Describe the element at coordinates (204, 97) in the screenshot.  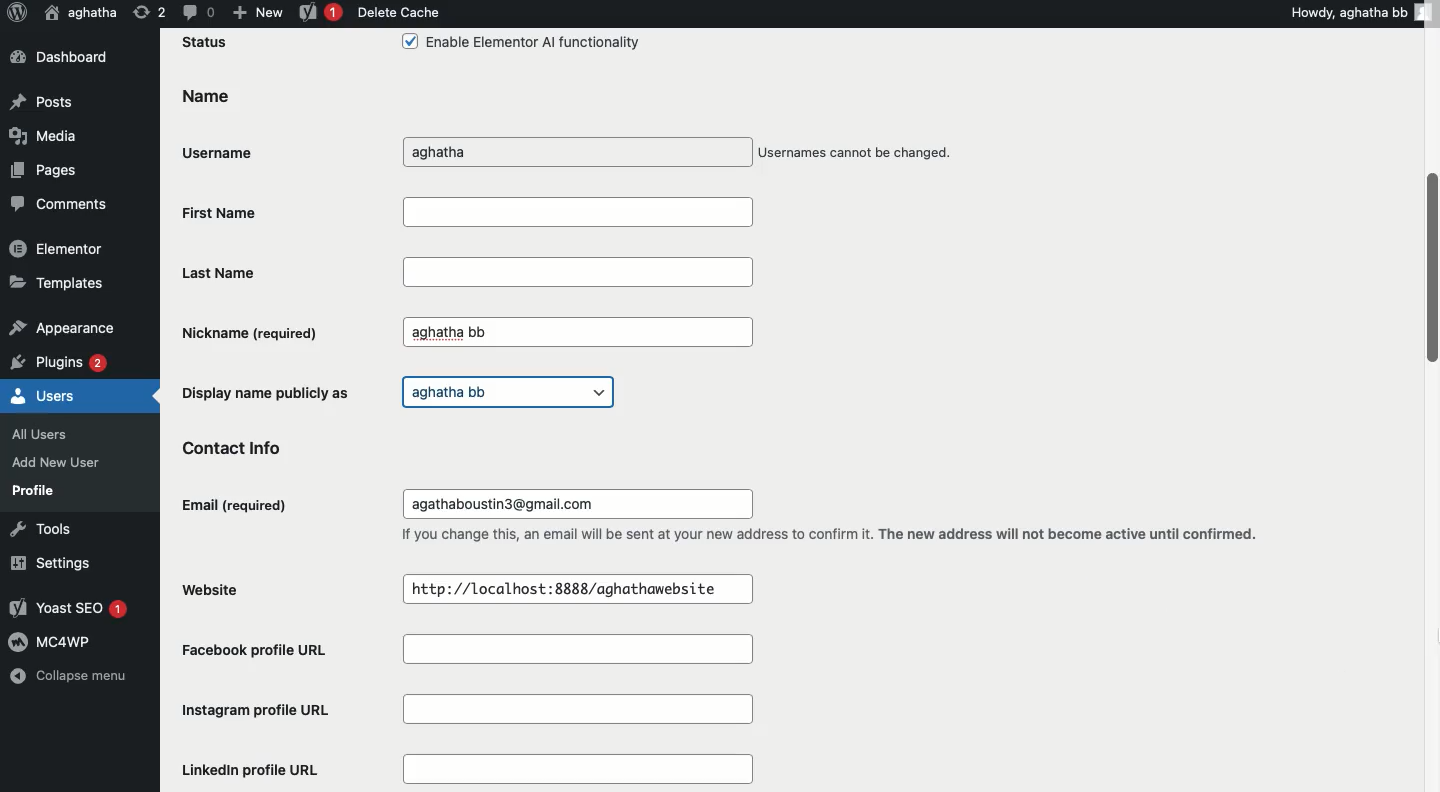
I see `Name` at that location.